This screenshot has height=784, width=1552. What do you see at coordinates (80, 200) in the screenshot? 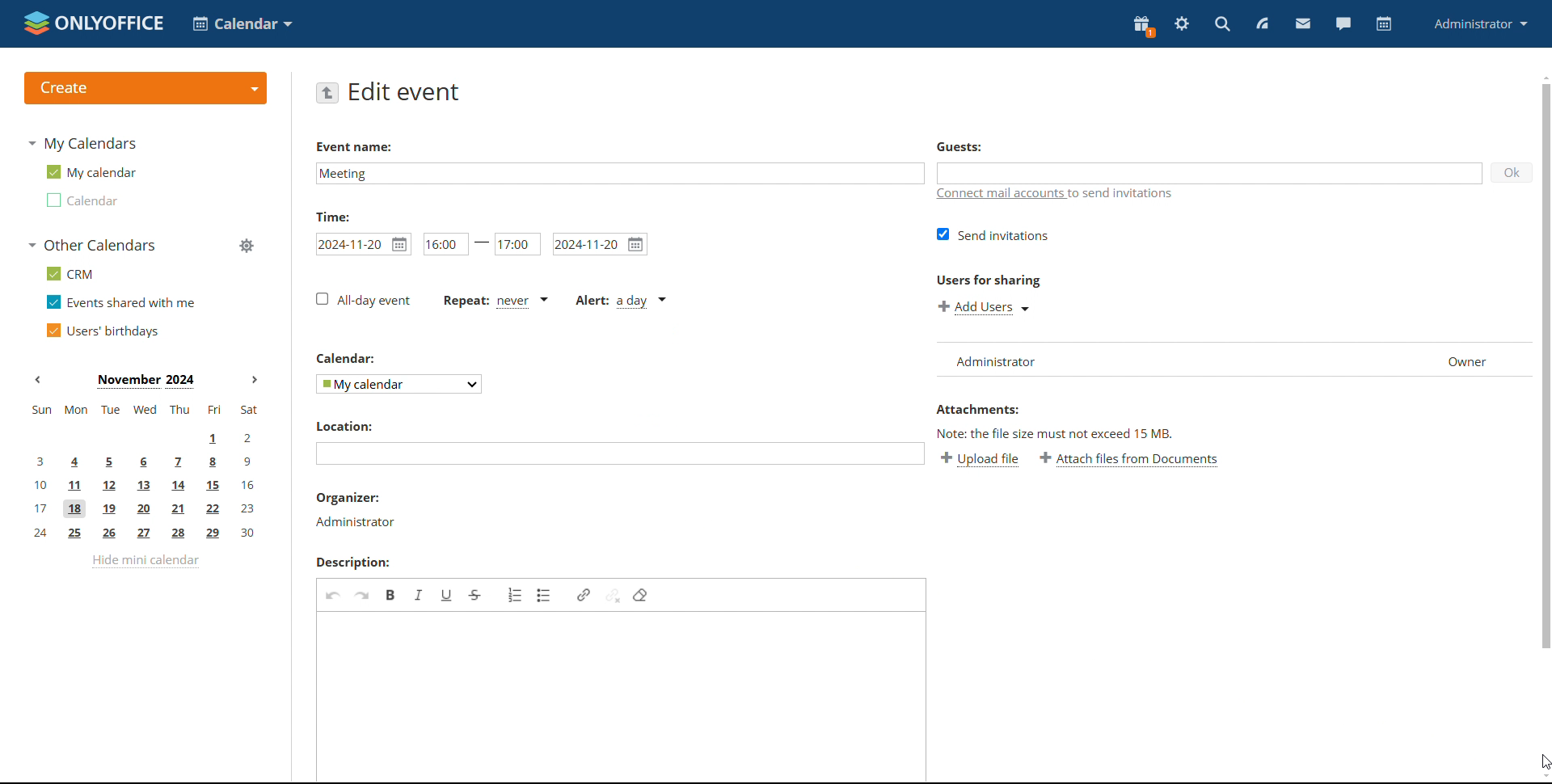
I see `second calendar` at bounding box center [80, 200].